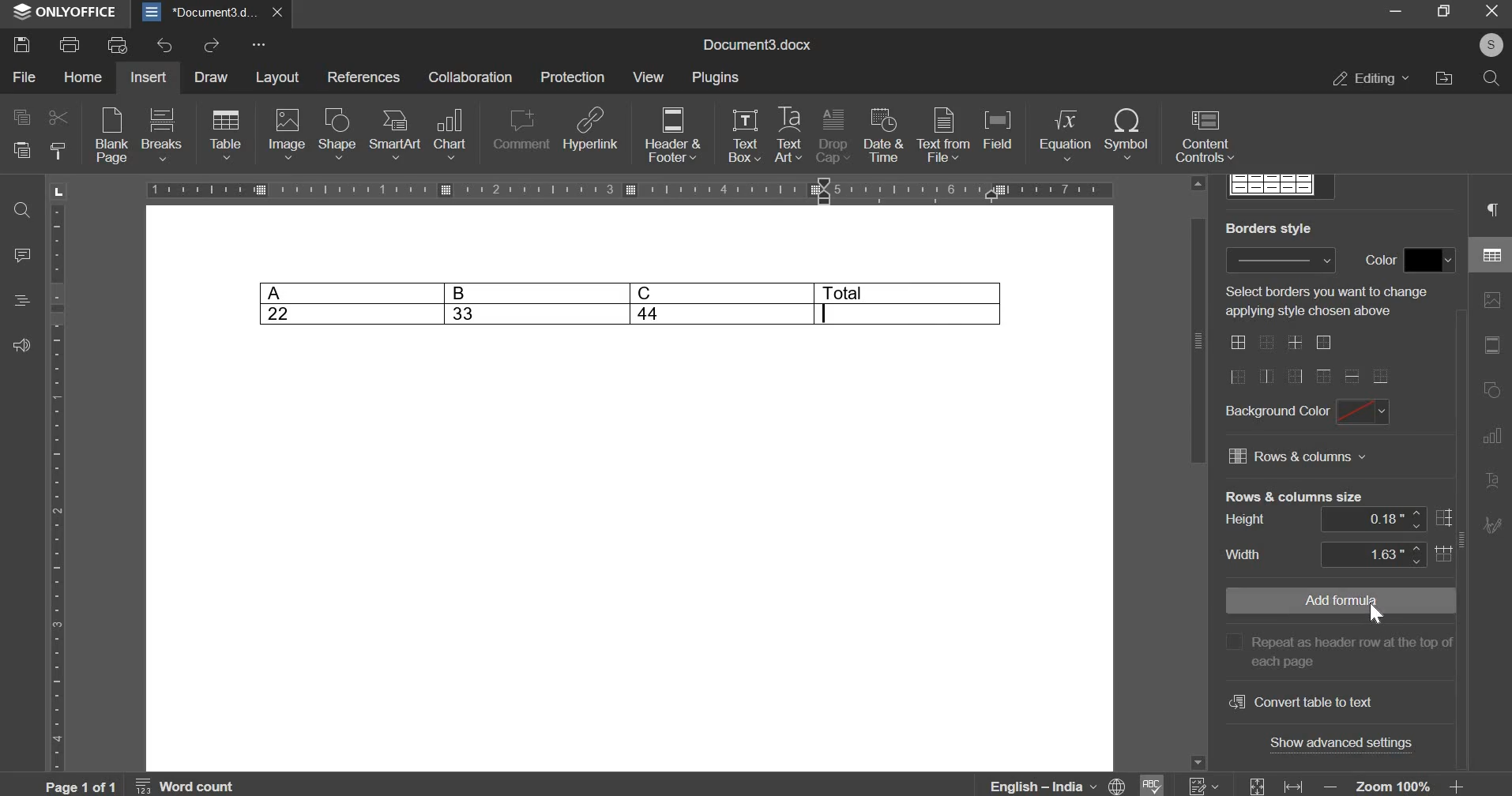 Image resolution: width=1512 pixels, height=796 pixels. What do you see at coordinates (24, 43) in the screenshot?
I see `save` at bounding box center [24, 43].